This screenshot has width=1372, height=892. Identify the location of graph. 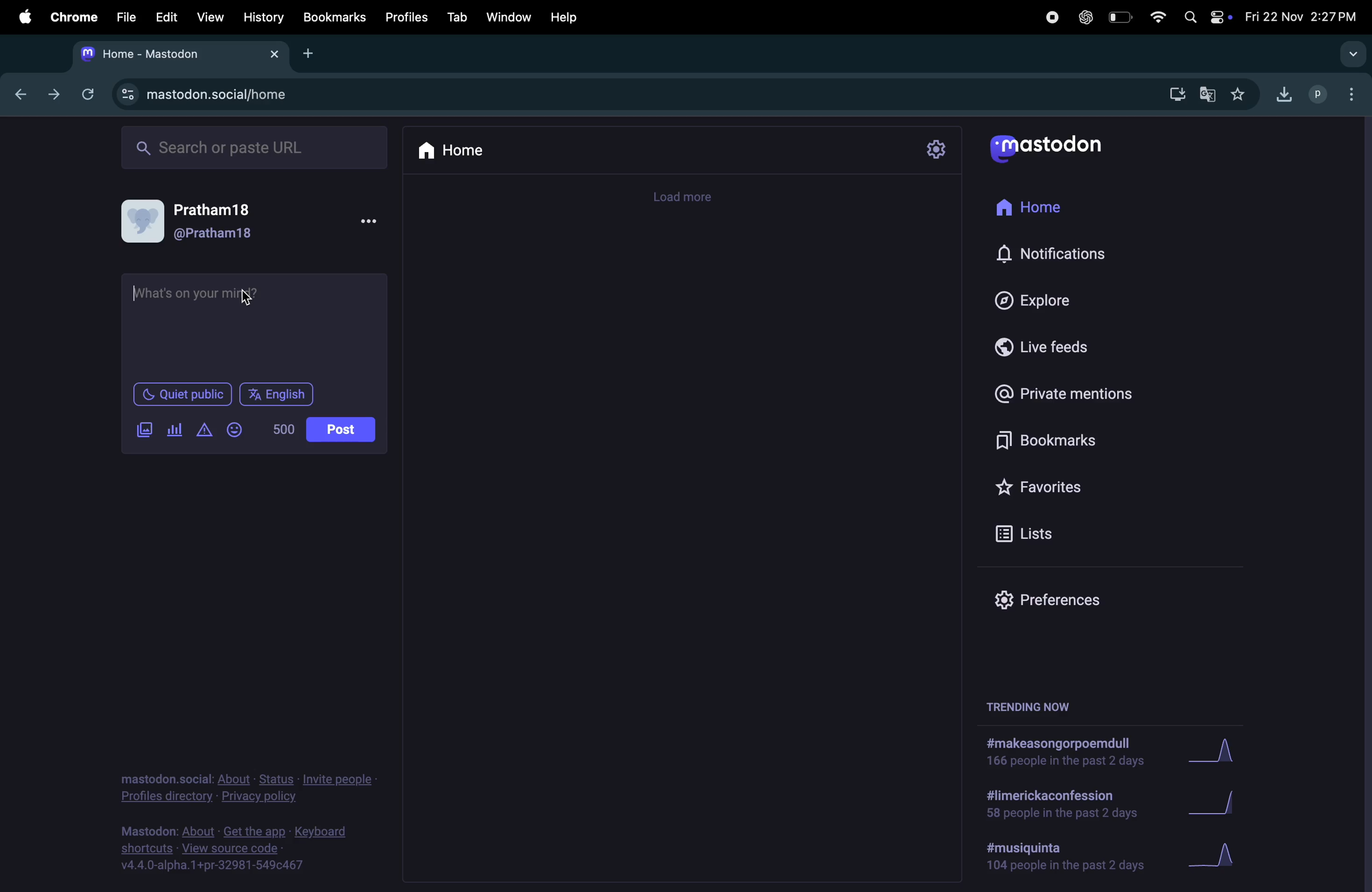
(1226, 800).